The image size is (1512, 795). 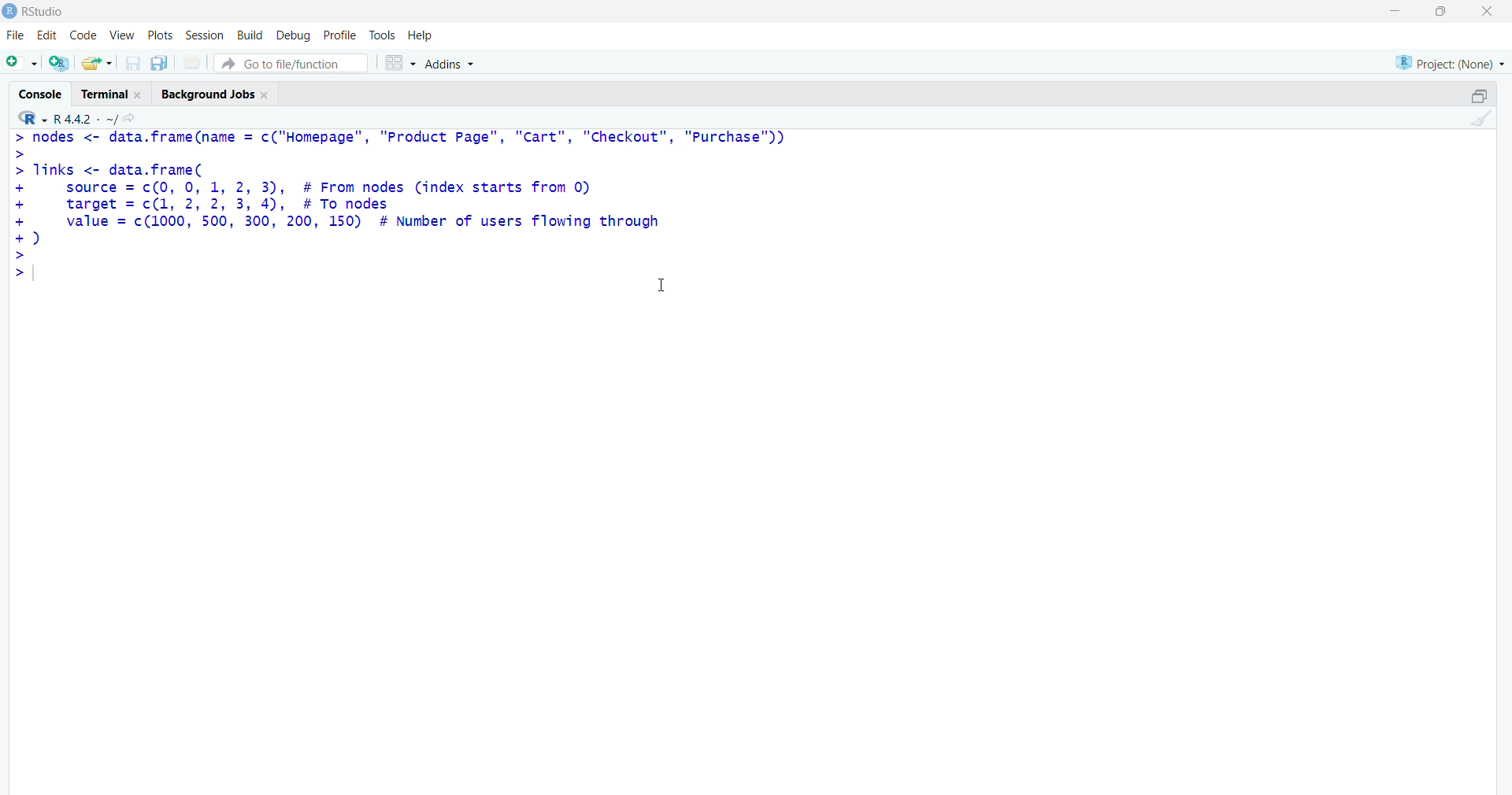 I want to click on tools, so click(x=383, y=33).